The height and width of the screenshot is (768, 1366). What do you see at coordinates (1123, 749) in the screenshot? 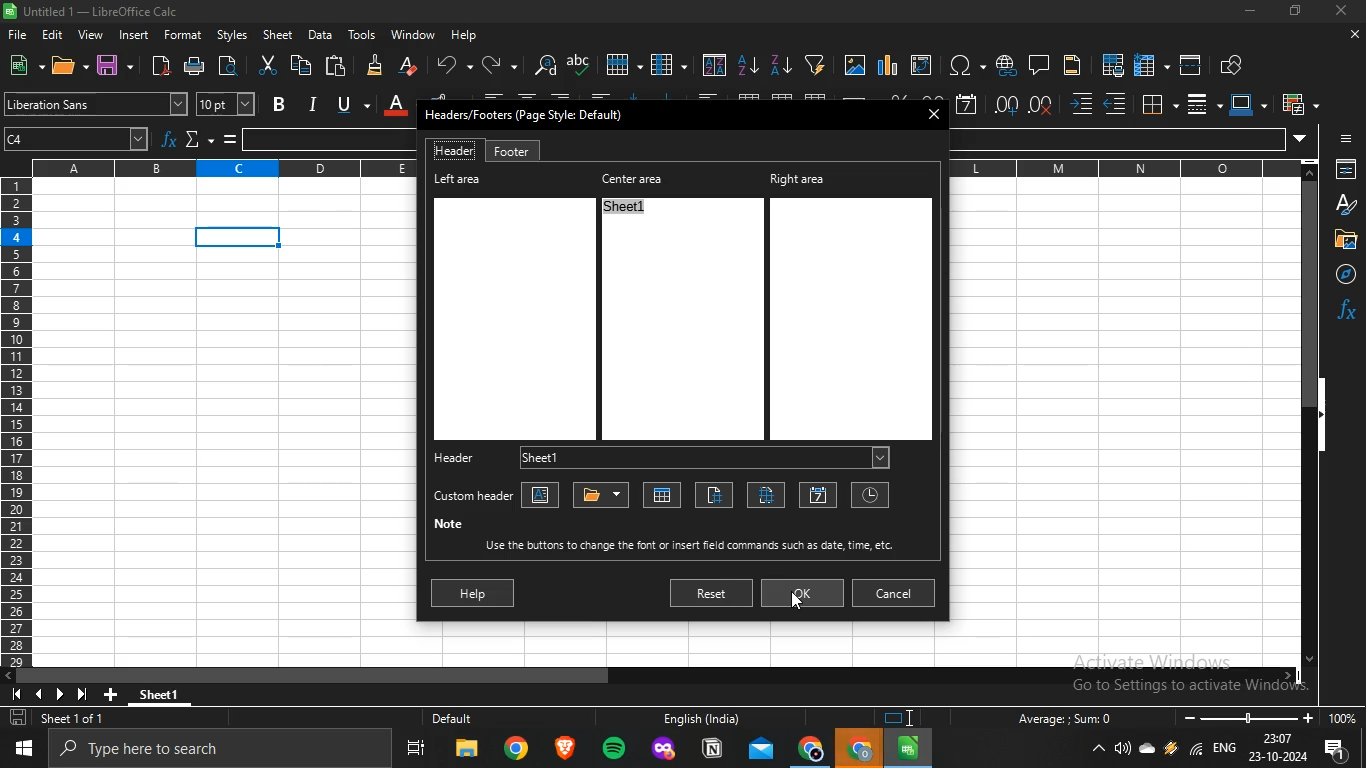
I see `volume` at bounding box center [1123, 749].